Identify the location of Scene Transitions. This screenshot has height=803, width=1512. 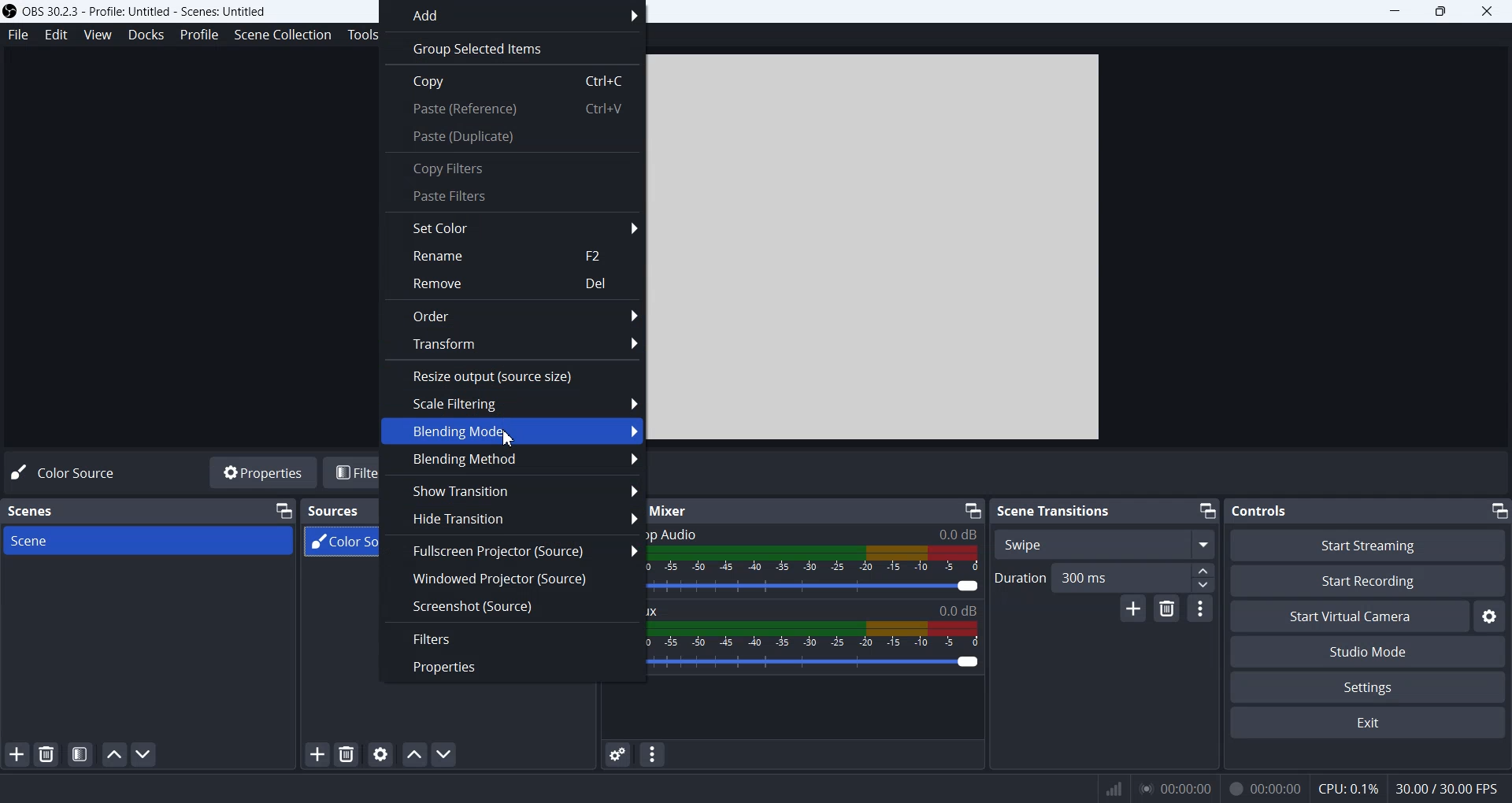
(1055, 510).